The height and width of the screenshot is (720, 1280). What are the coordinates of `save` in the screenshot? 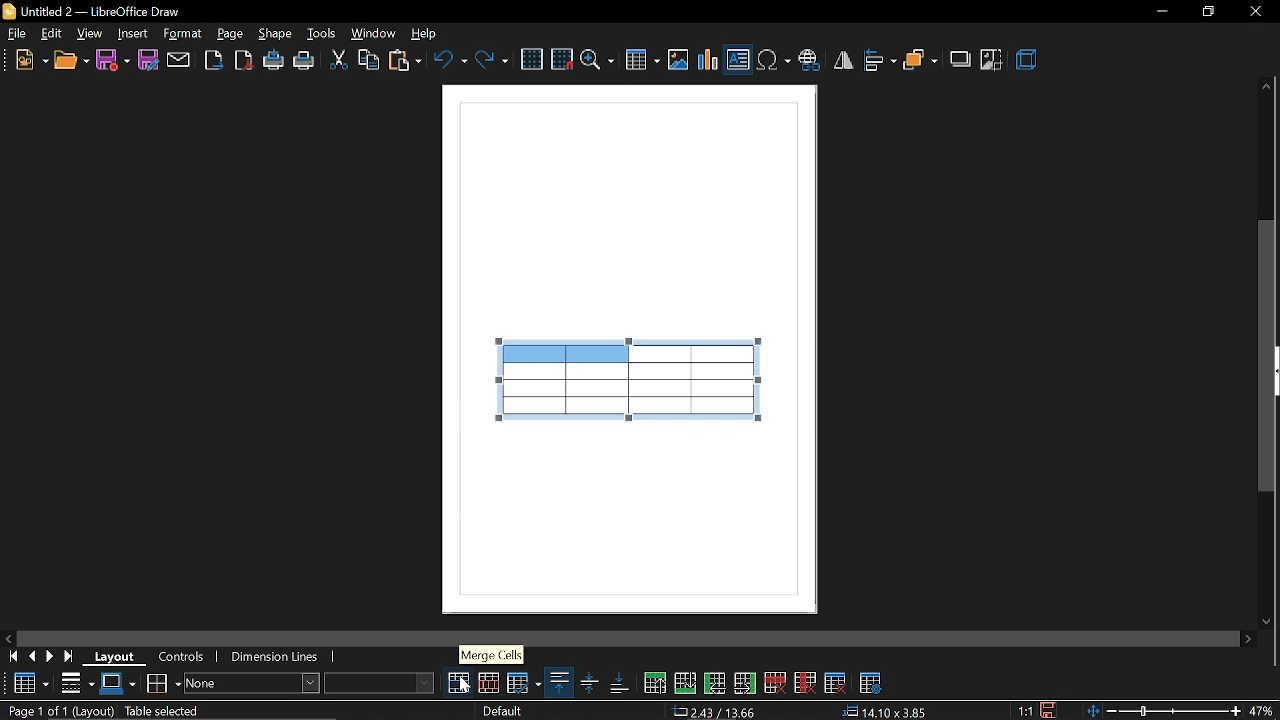 It's located at (1050, 709).